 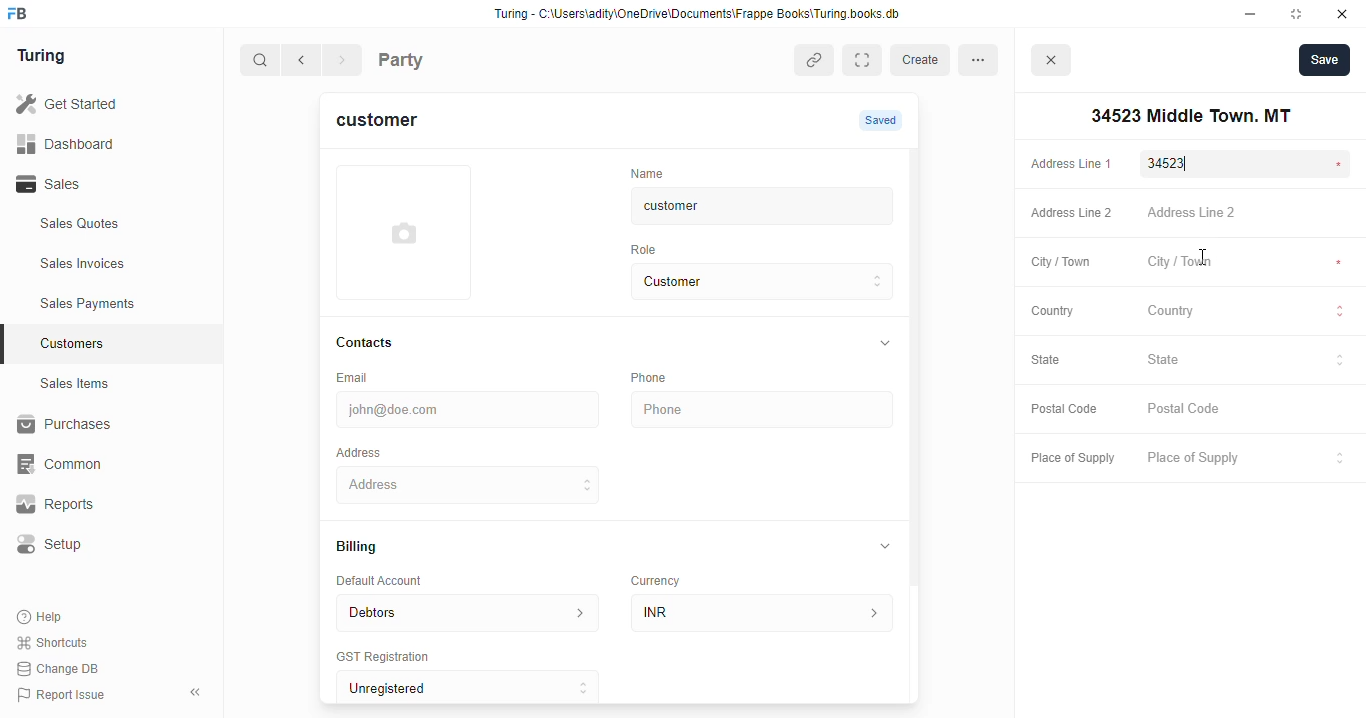 I want to click on cursor, so click(x=1207, y=254).